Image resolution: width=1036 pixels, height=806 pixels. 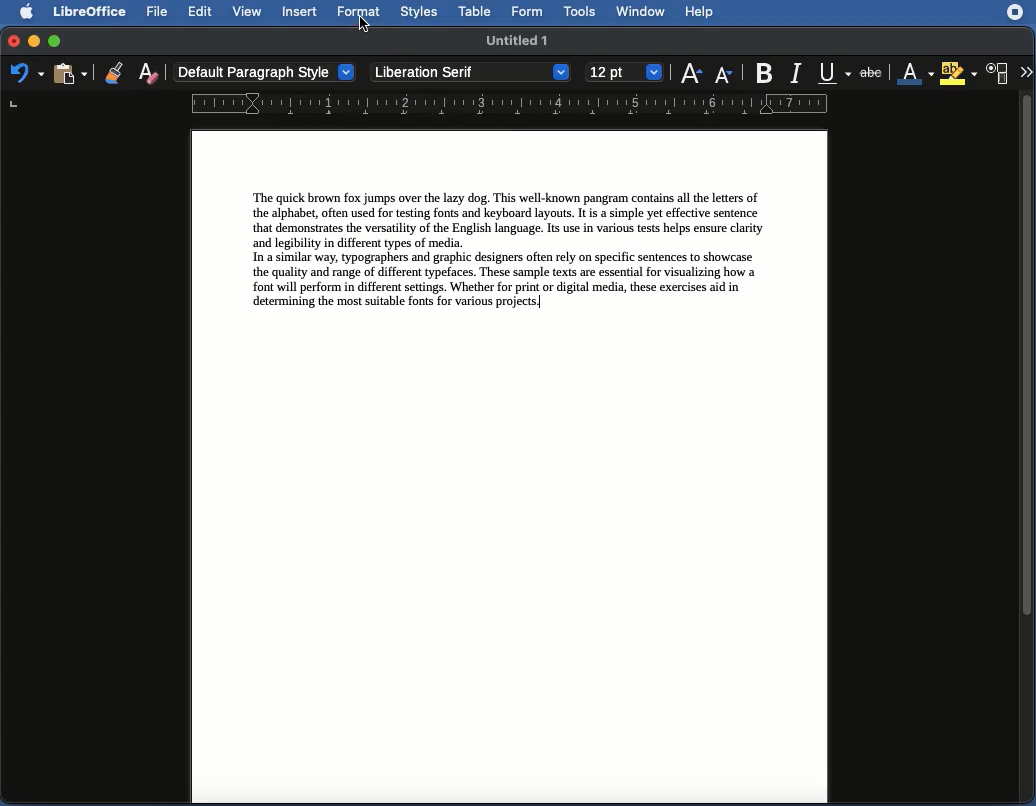 What do you see at coordinates (623, 75) in the screenshot?
I see `Font size` at bounding box center [623, 75].